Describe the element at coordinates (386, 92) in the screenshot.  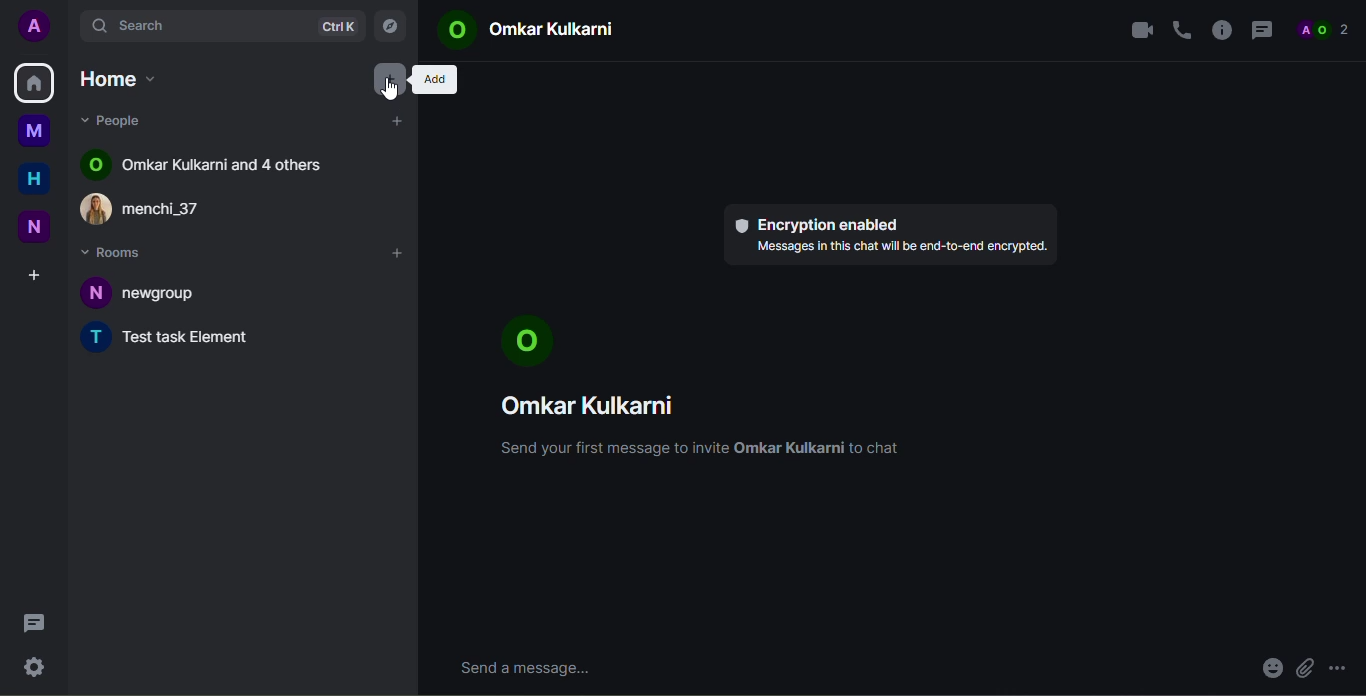
I see `cursor` at that location.